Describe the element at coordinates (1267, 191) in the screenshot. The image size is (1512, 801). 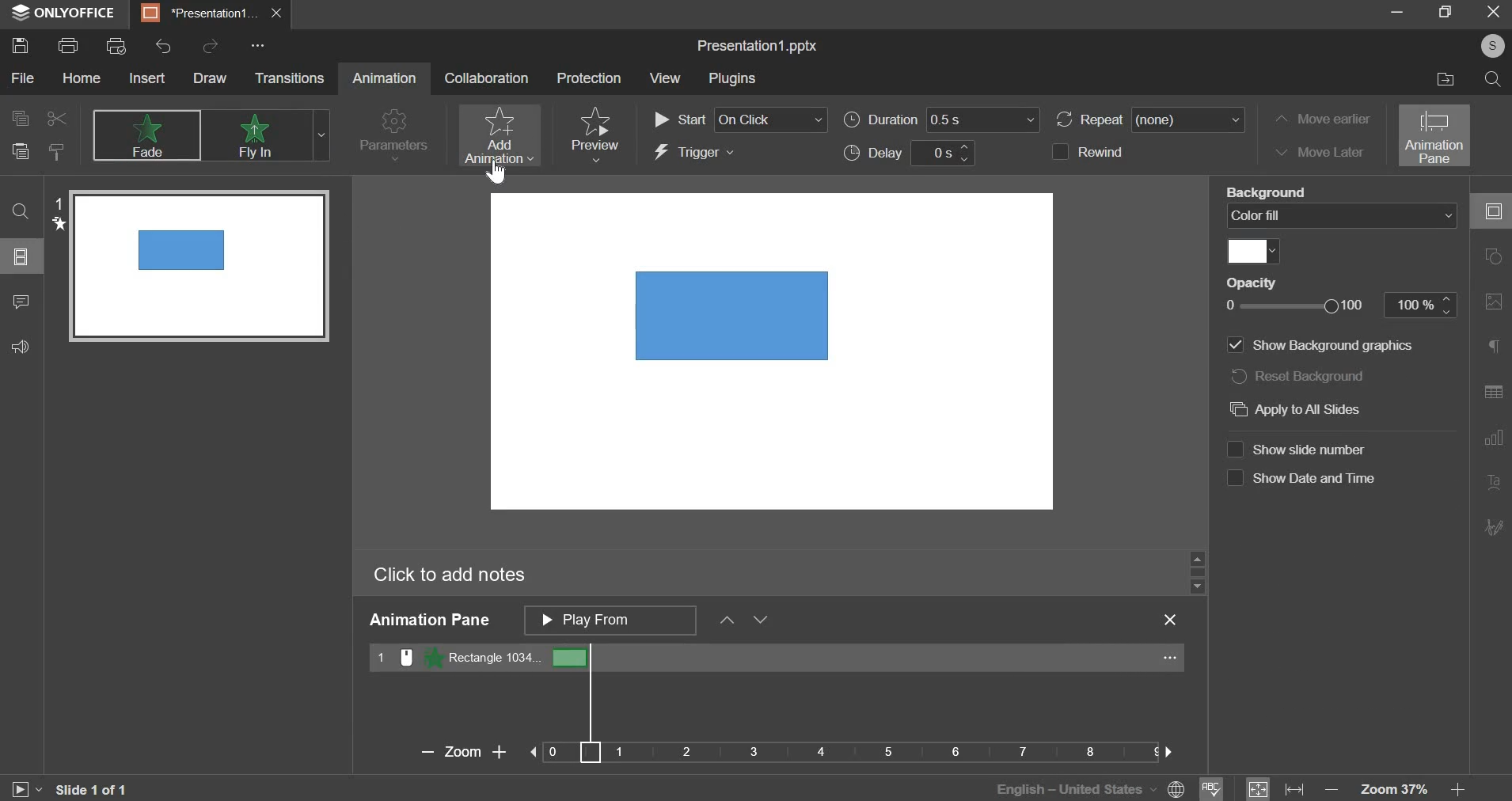
I see `Fill` at that location.